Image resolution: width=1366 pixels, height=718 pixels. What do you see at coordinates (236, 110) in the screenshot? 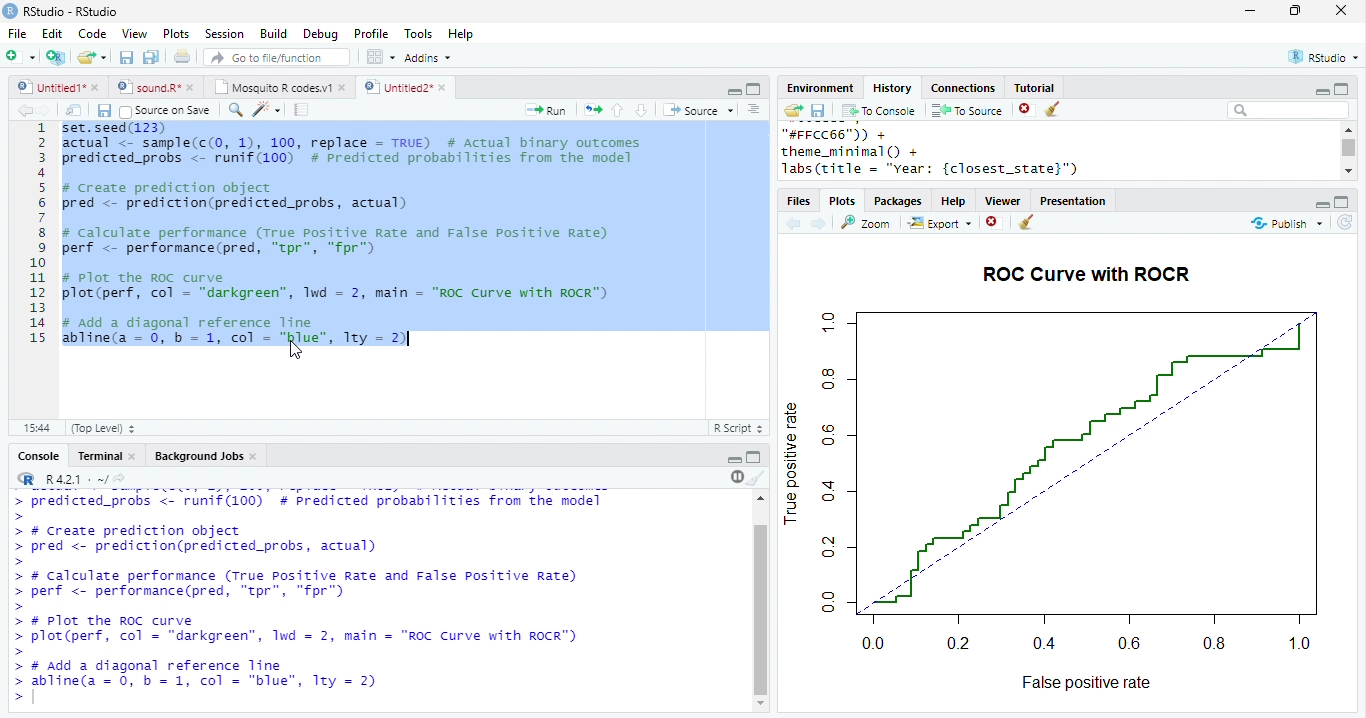
I see `search` at bounding box center [236, 110].